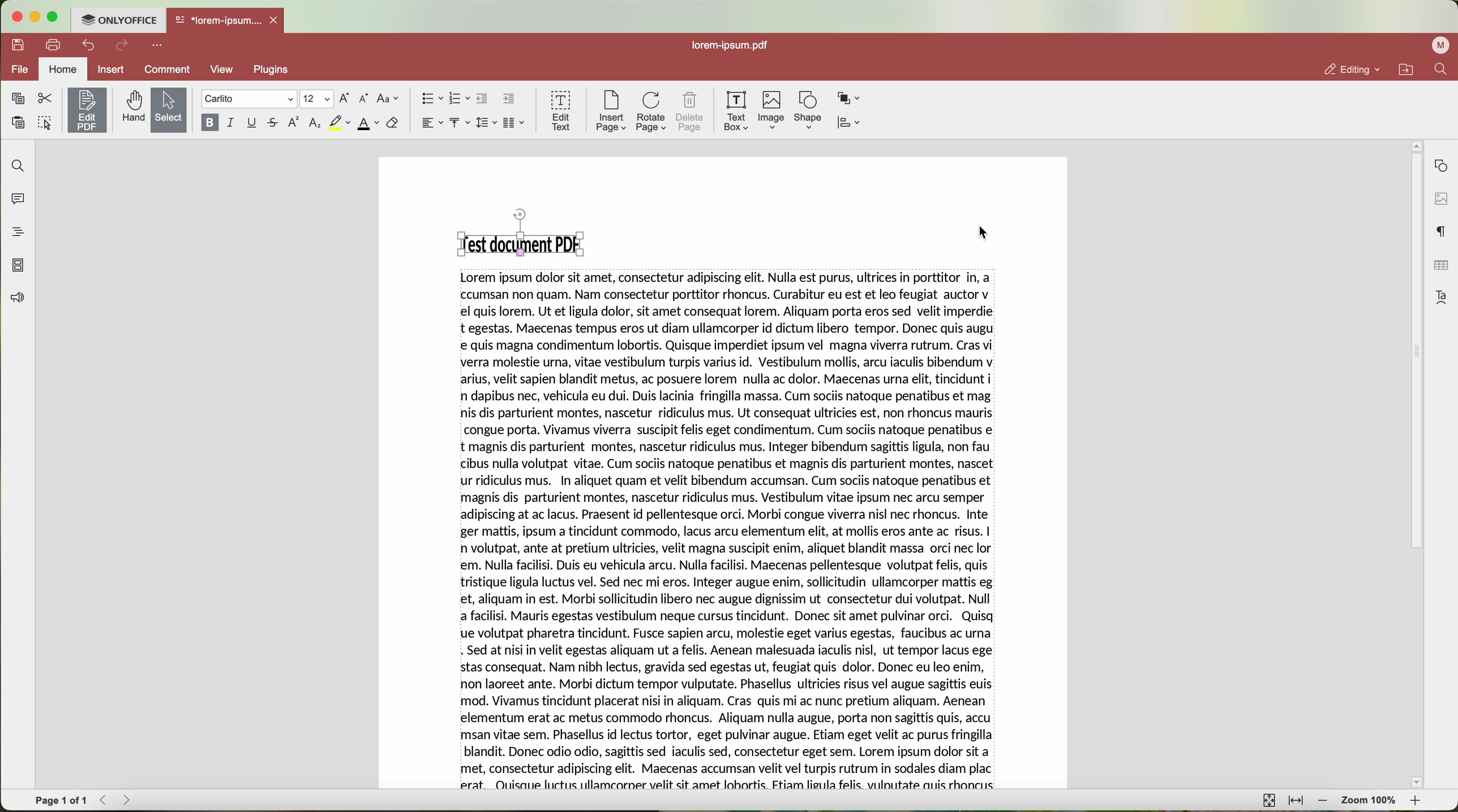 This screenshot has width=1458, height=812. Describe the element at coordinates (85, 110) in the screenshot. I see `edit PDF` at that location.